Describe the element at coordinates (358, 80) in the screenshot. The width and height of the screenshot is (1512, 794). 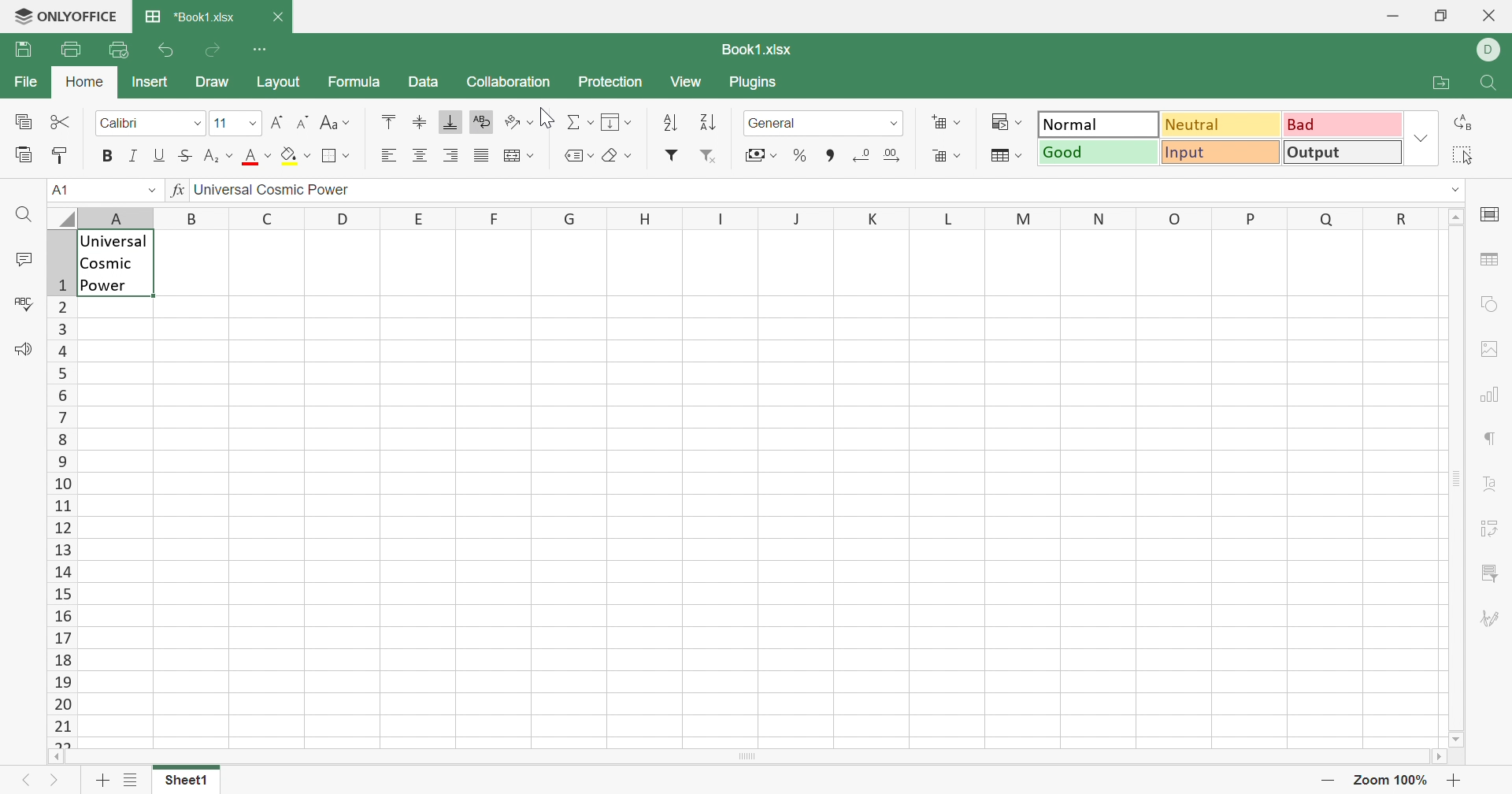
I see `Formula` at that location.